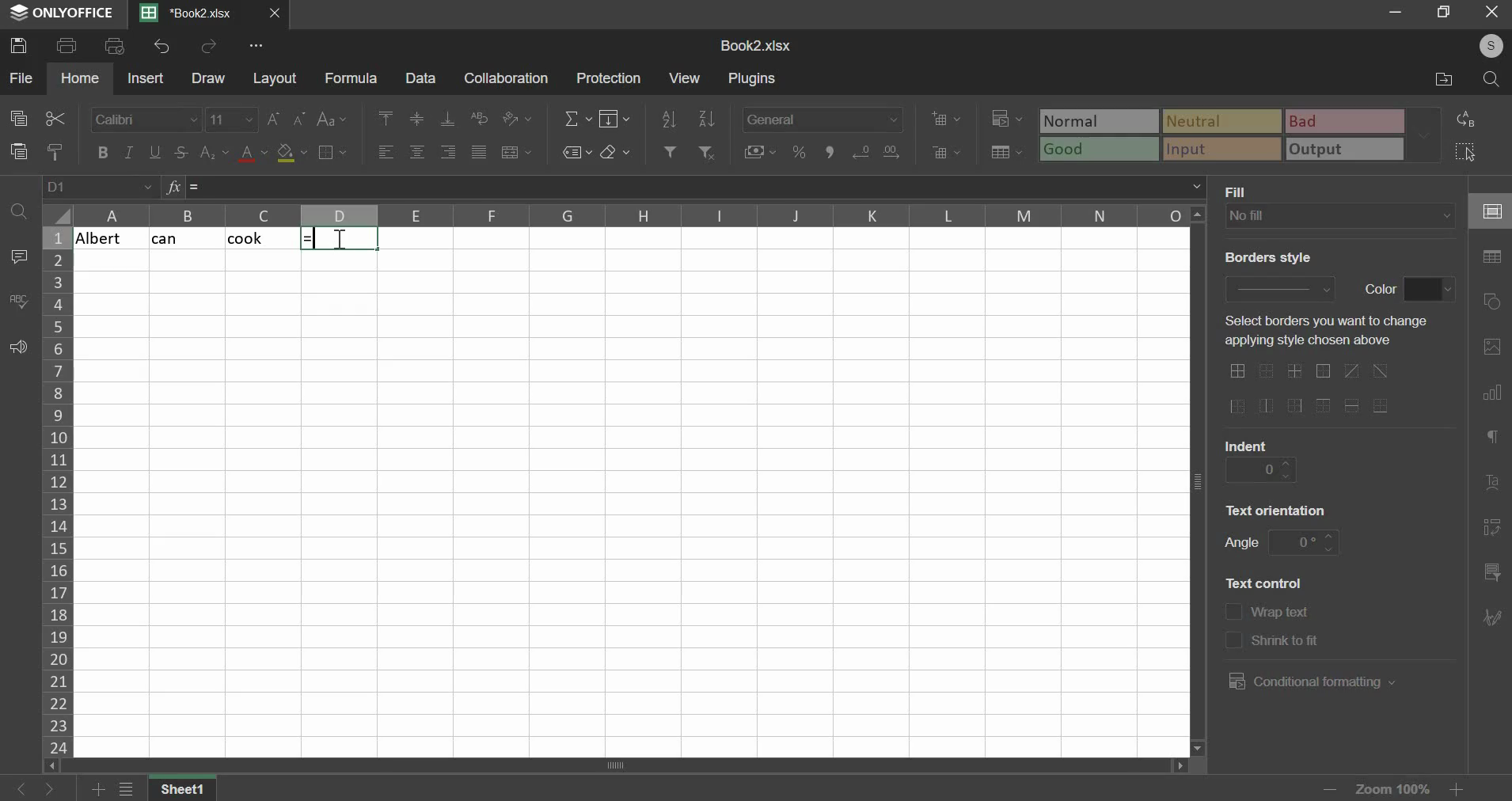 This screenshot has height=801, width=1512. What do you see at coordinates (194, 13) in the screenshot?
I see `Current sheets` at bounding box center [194, 13].